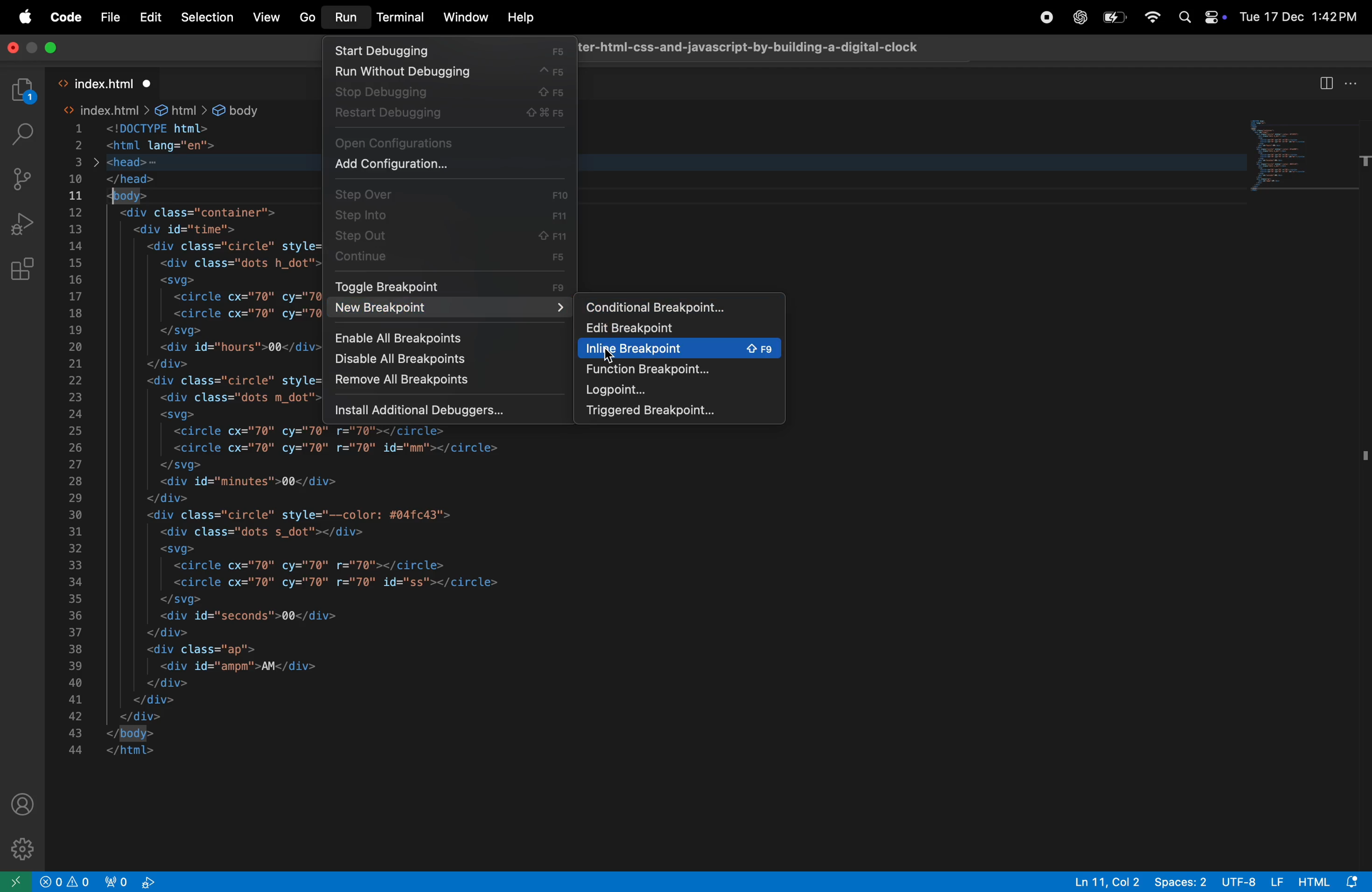  What do you see at coordinates (26, 18) in the screenshot?
I see `apple menu` at bounding box center [26, 18].